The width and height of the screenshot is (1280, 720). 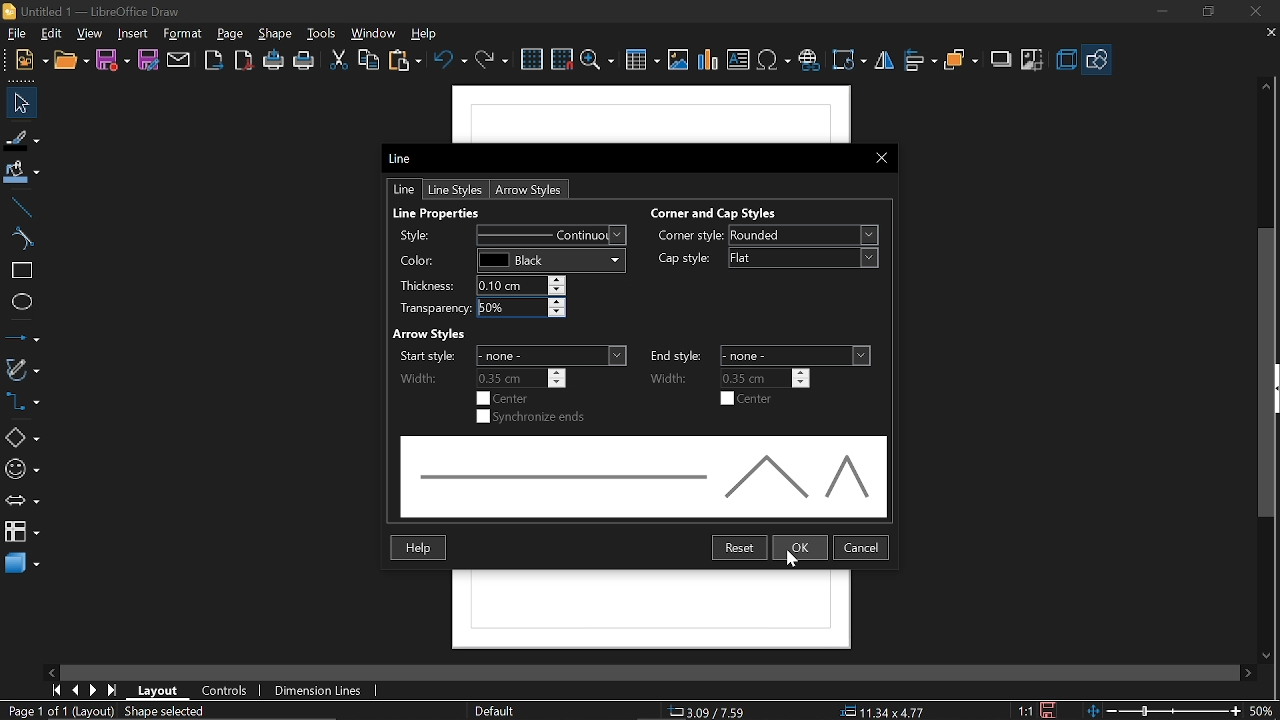 I want to click on Center, so click(x=747, y=399).